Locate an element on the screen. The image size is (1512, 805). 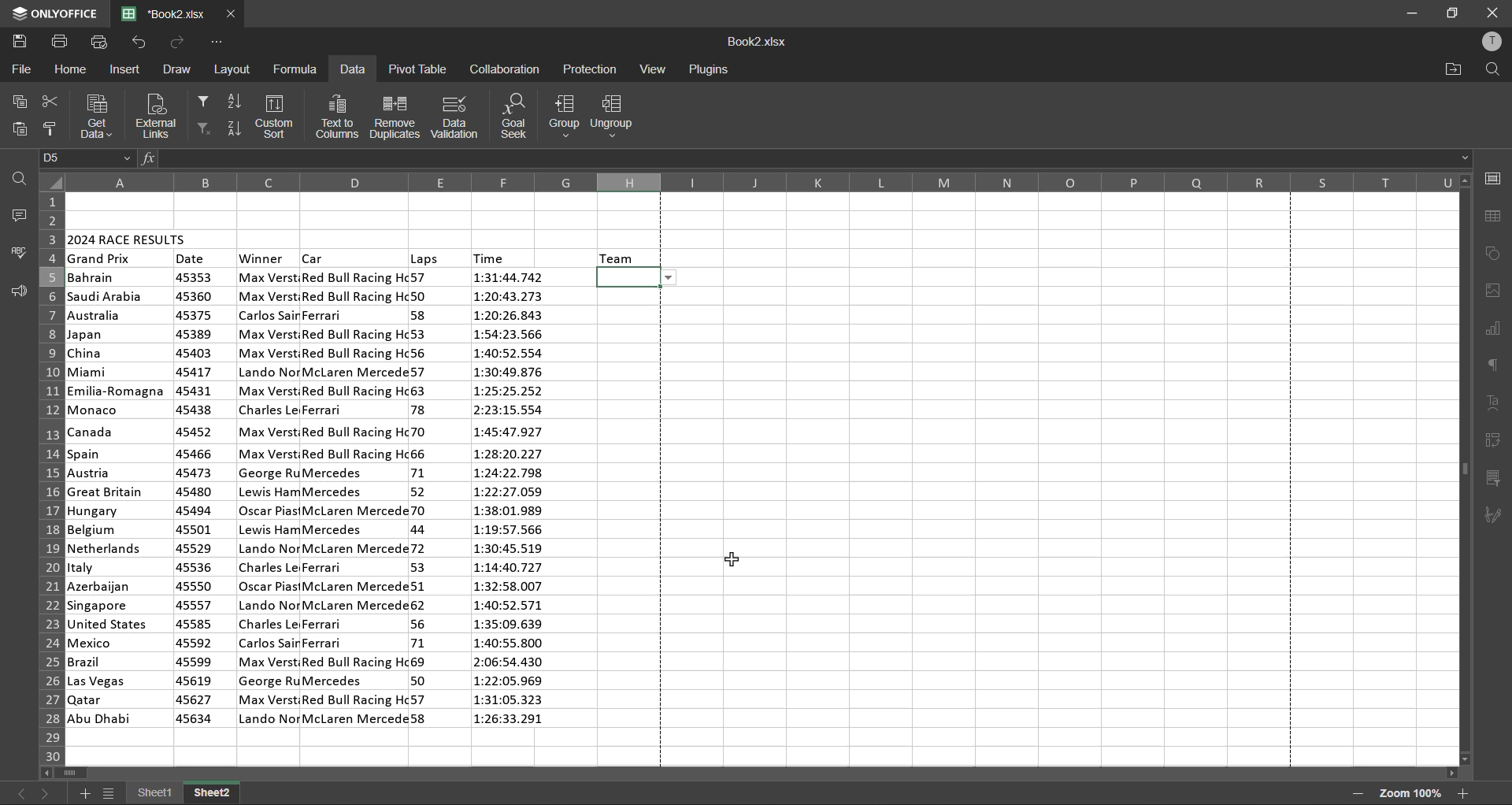
cut is located at coordinates (47, 104).